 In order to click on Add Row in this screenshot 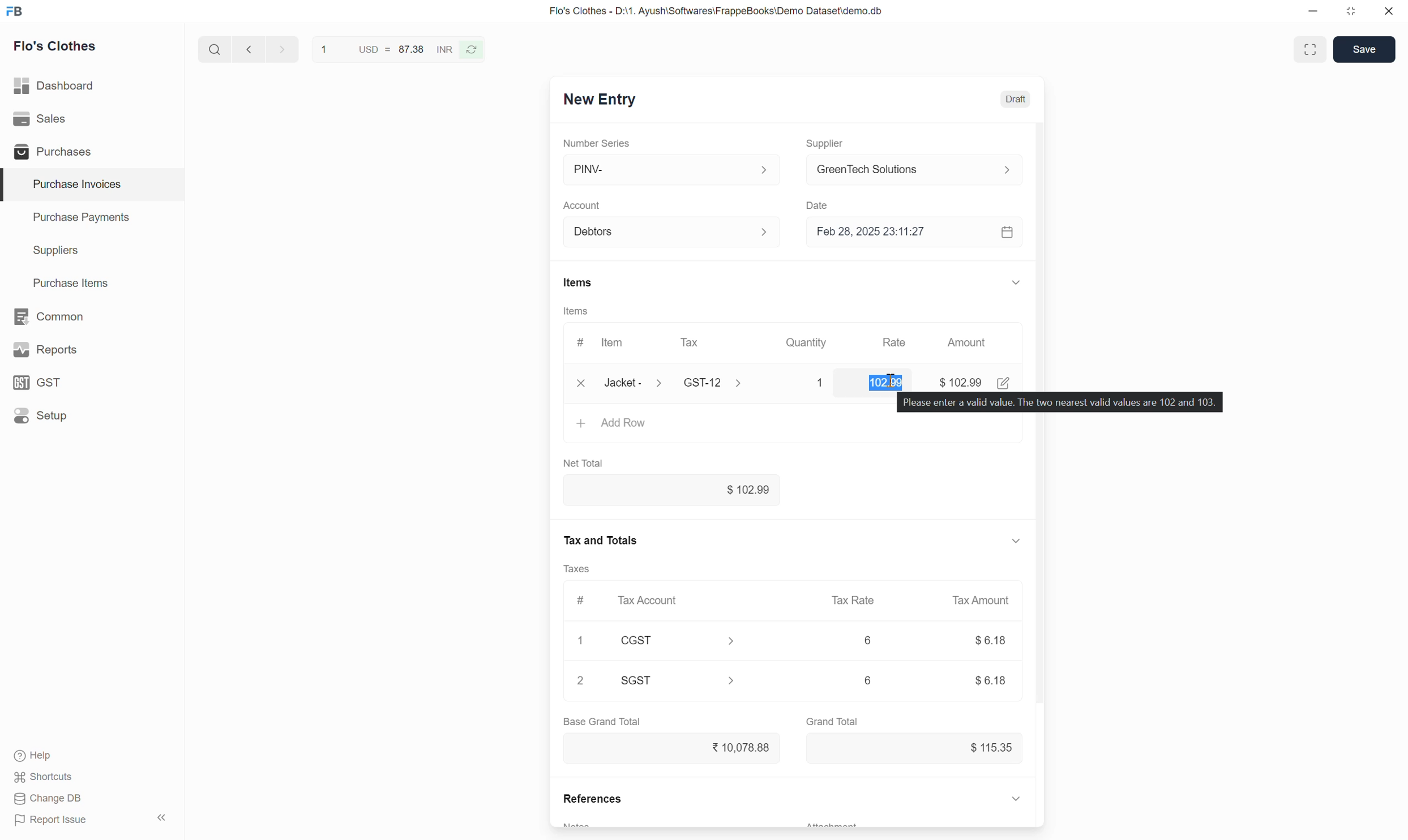, I will do `click(794, 428)`.